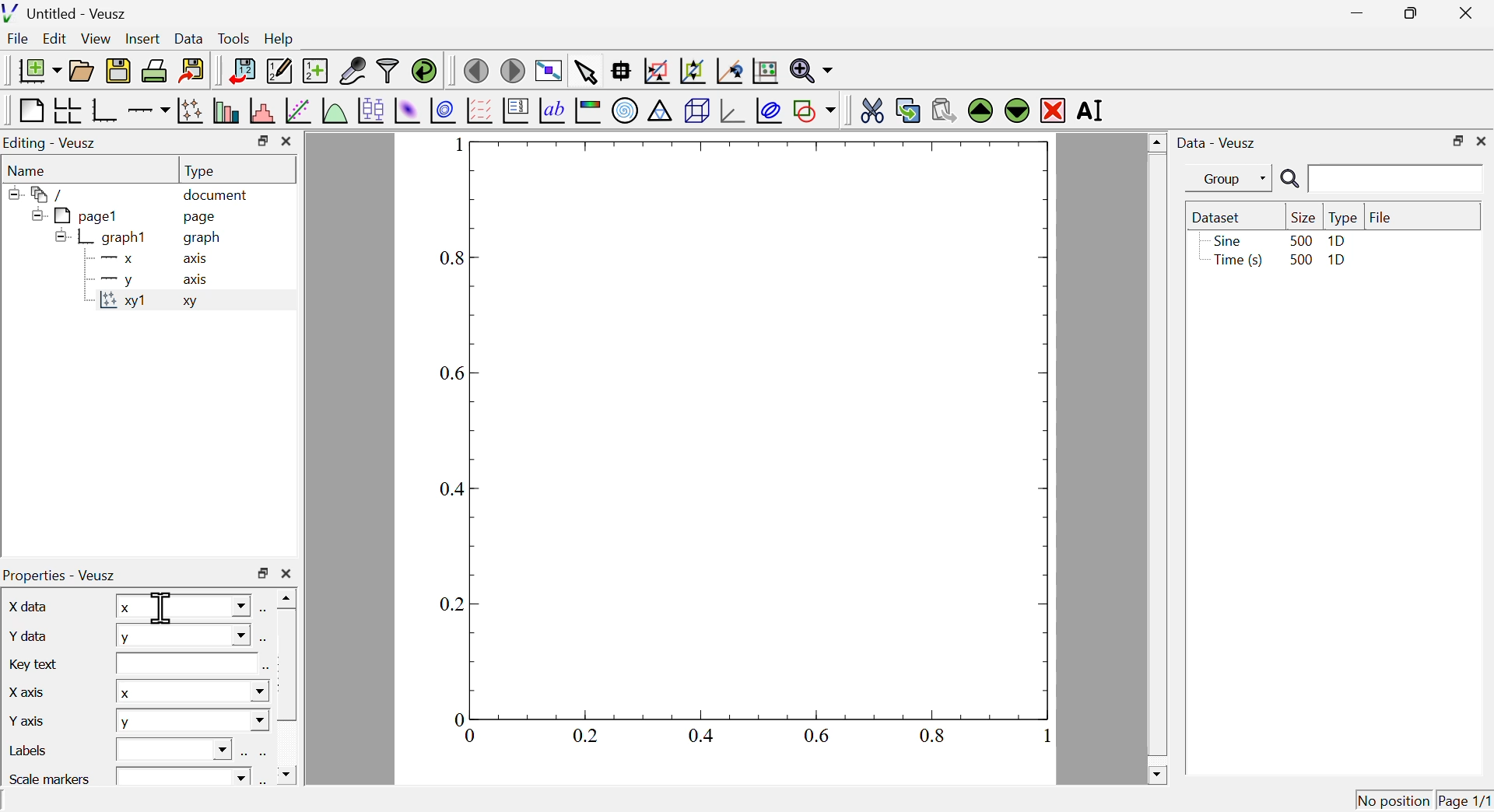 The image size is (1494, 812). What do you see at coordinates (869, 109) in the screenshot?
I see `cut the selected widget` at bounding box center [869, 109].